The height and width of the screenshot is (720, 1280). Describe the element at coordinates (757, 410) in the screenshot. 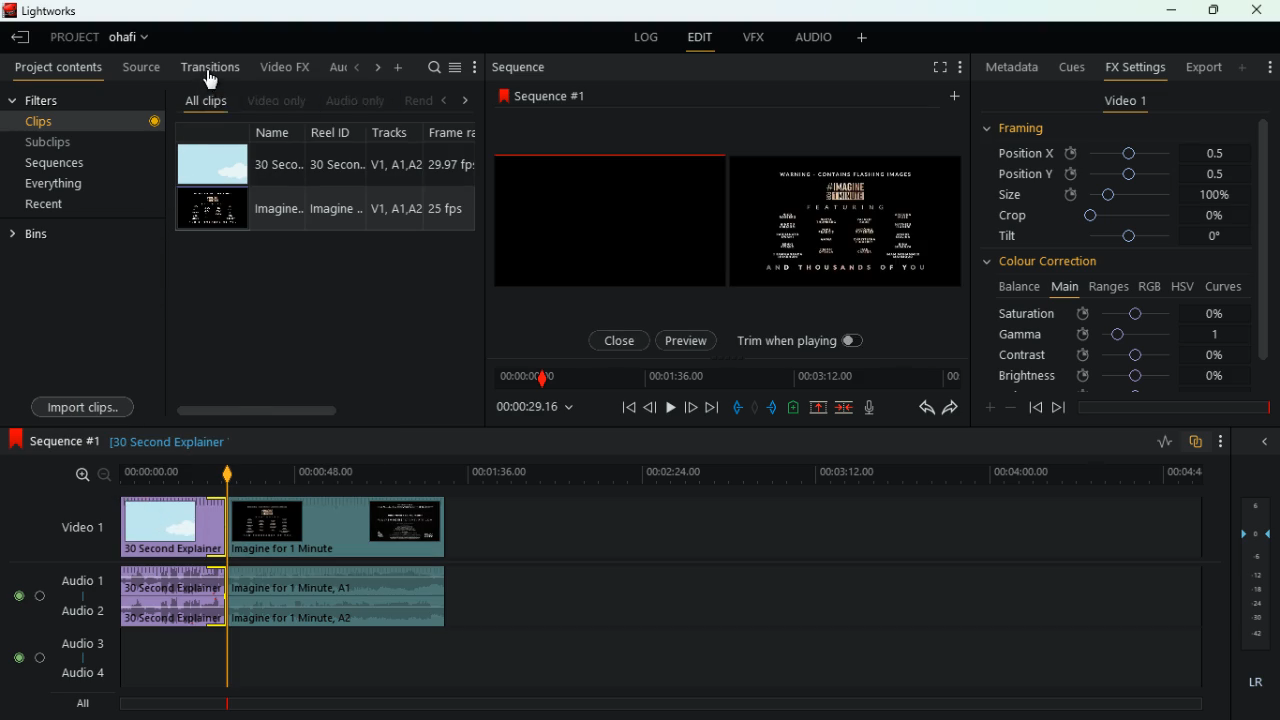

I see `hold` at that location.